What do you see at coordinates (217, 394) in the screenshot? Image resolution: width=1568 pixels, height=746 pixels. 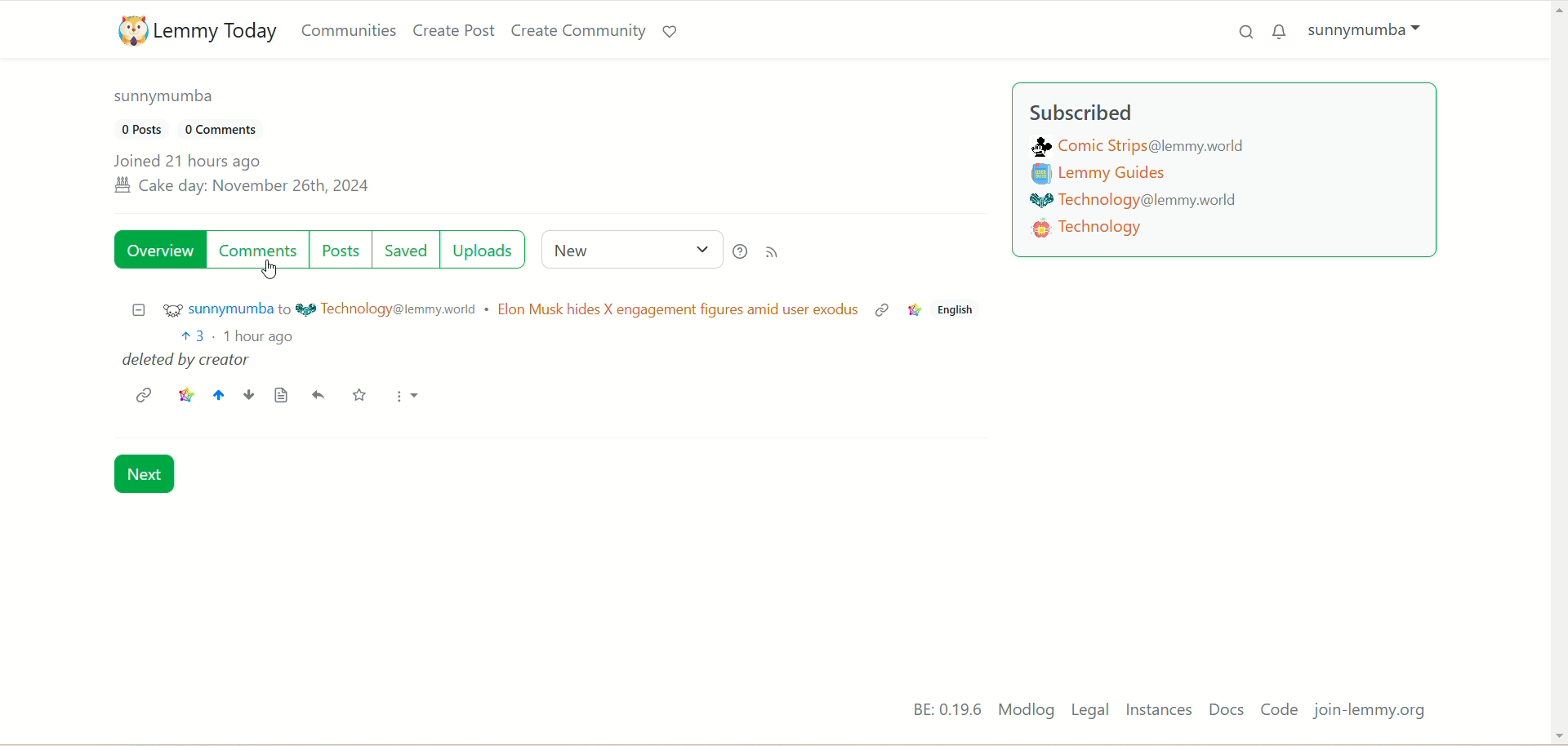 I see `uptown` at bounding box center [217, 394].